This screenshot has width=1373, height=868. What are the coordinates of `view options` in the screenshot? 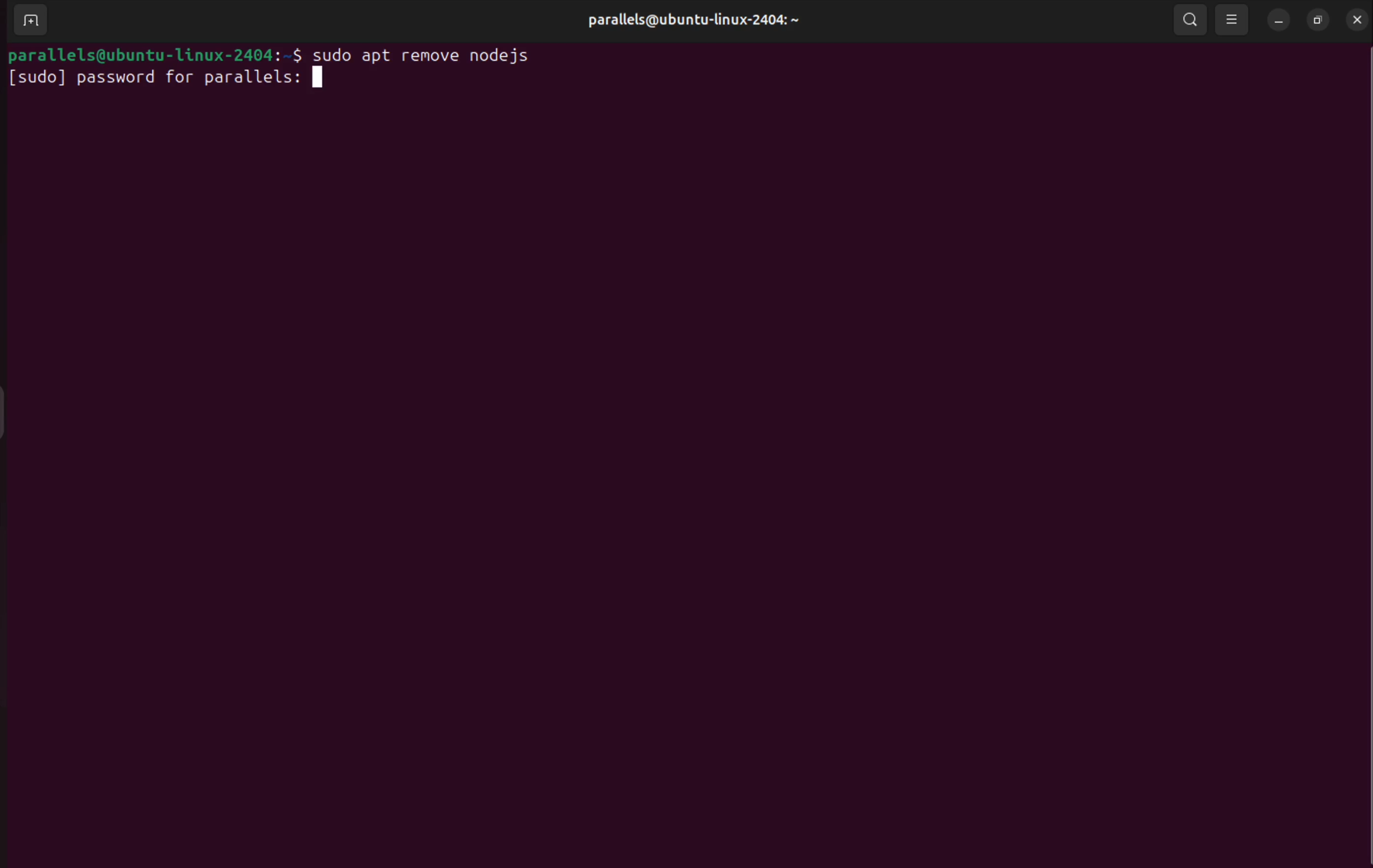 It's located at (1231, 21).